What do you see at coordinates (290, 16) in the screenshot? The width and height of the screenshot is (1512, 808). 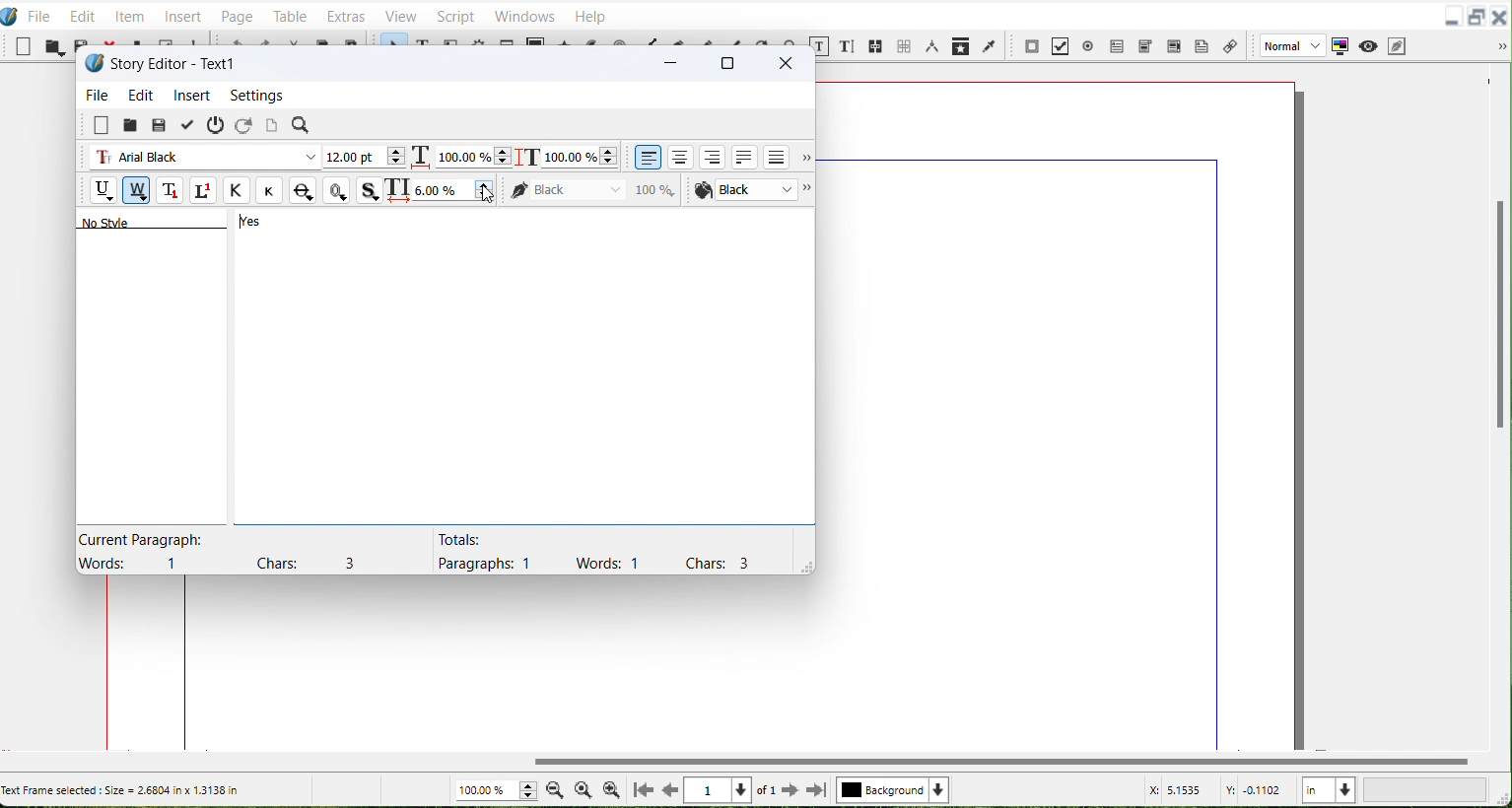 I see `Table` at bounding box center [290, 16].